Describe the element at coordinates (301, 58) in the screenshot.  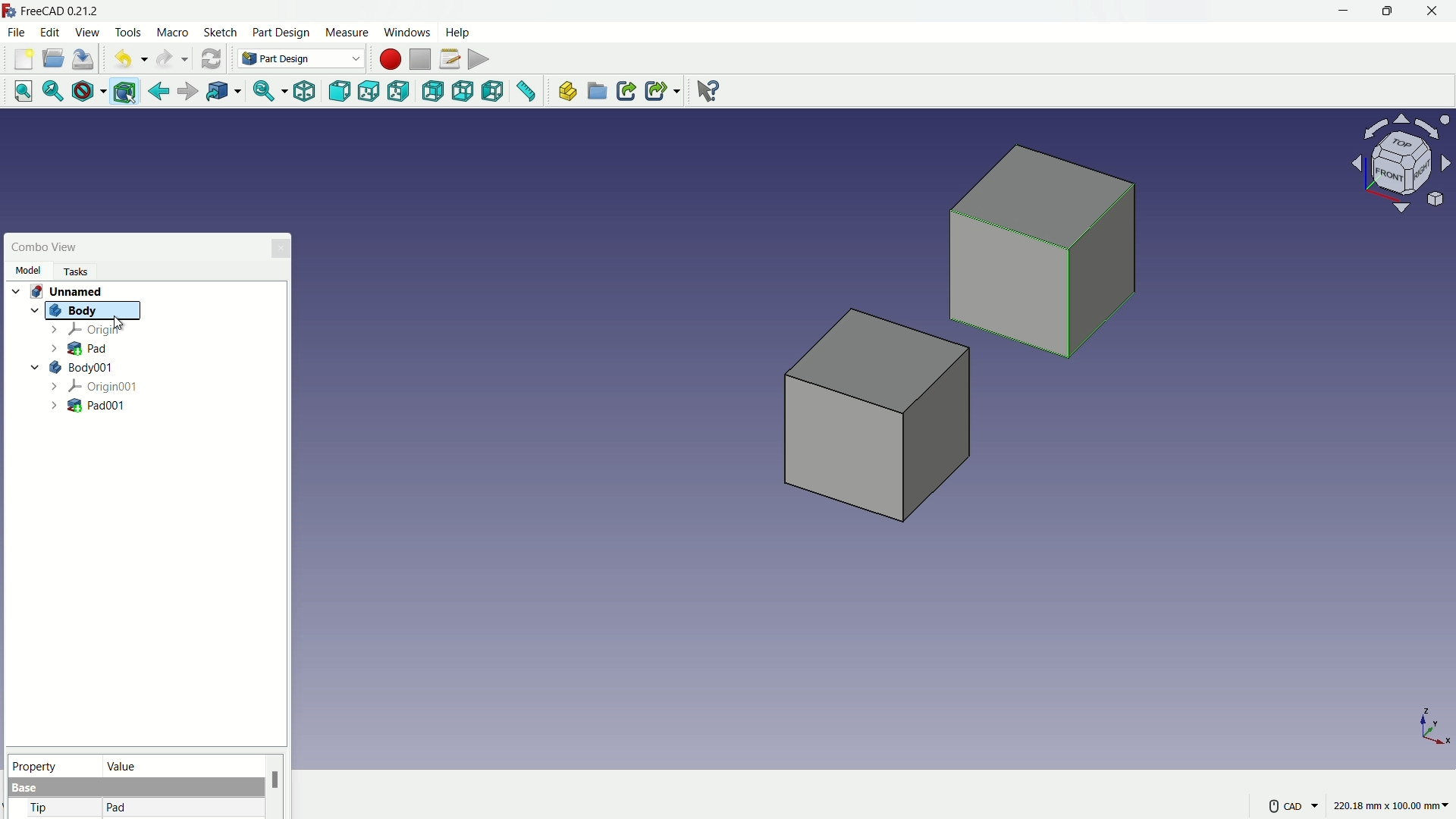
I see `Part Design` at that location.